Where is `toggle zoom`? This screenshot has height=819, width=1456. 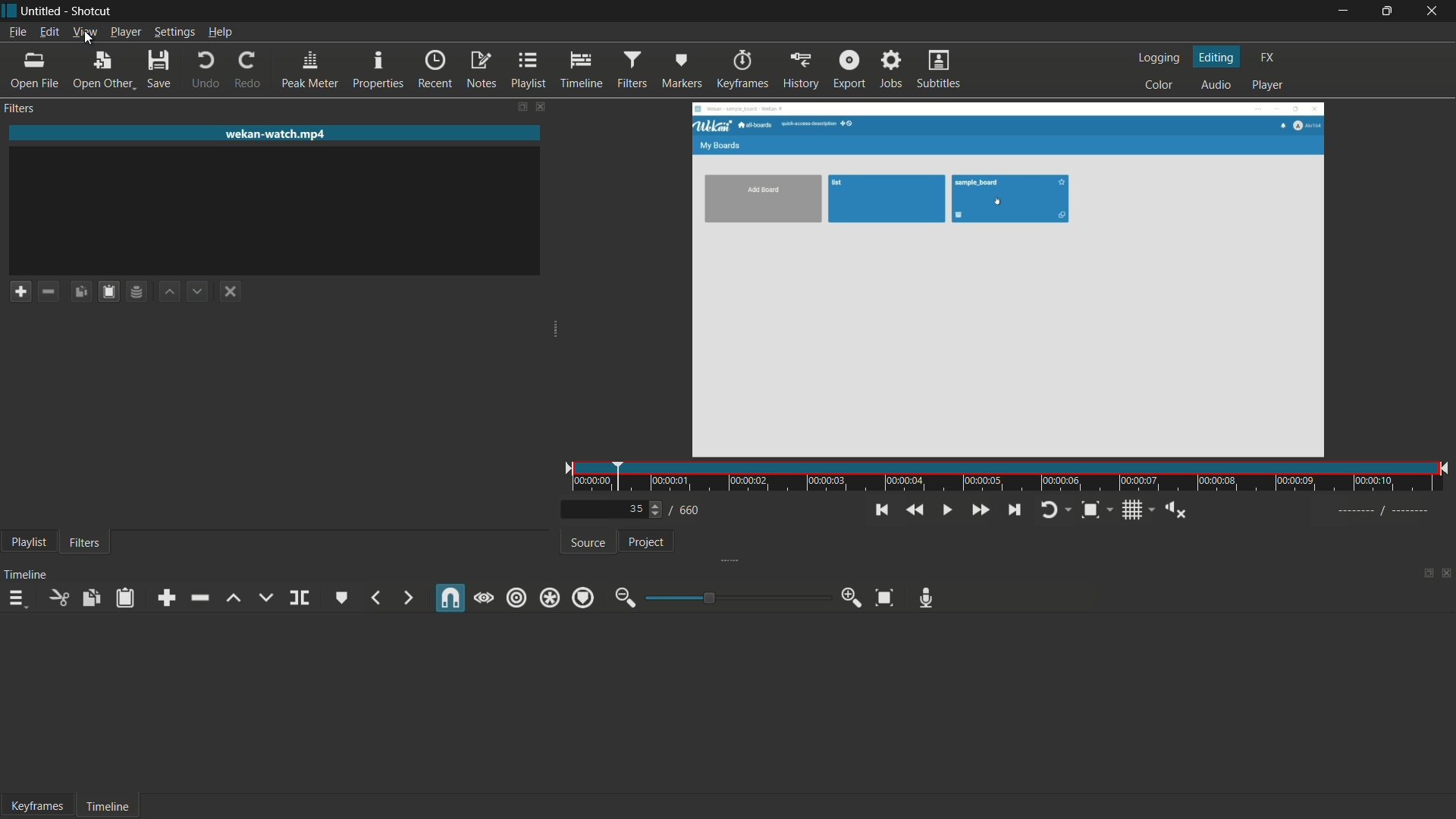 toggle zoom is located at coordinates (1094, 511).